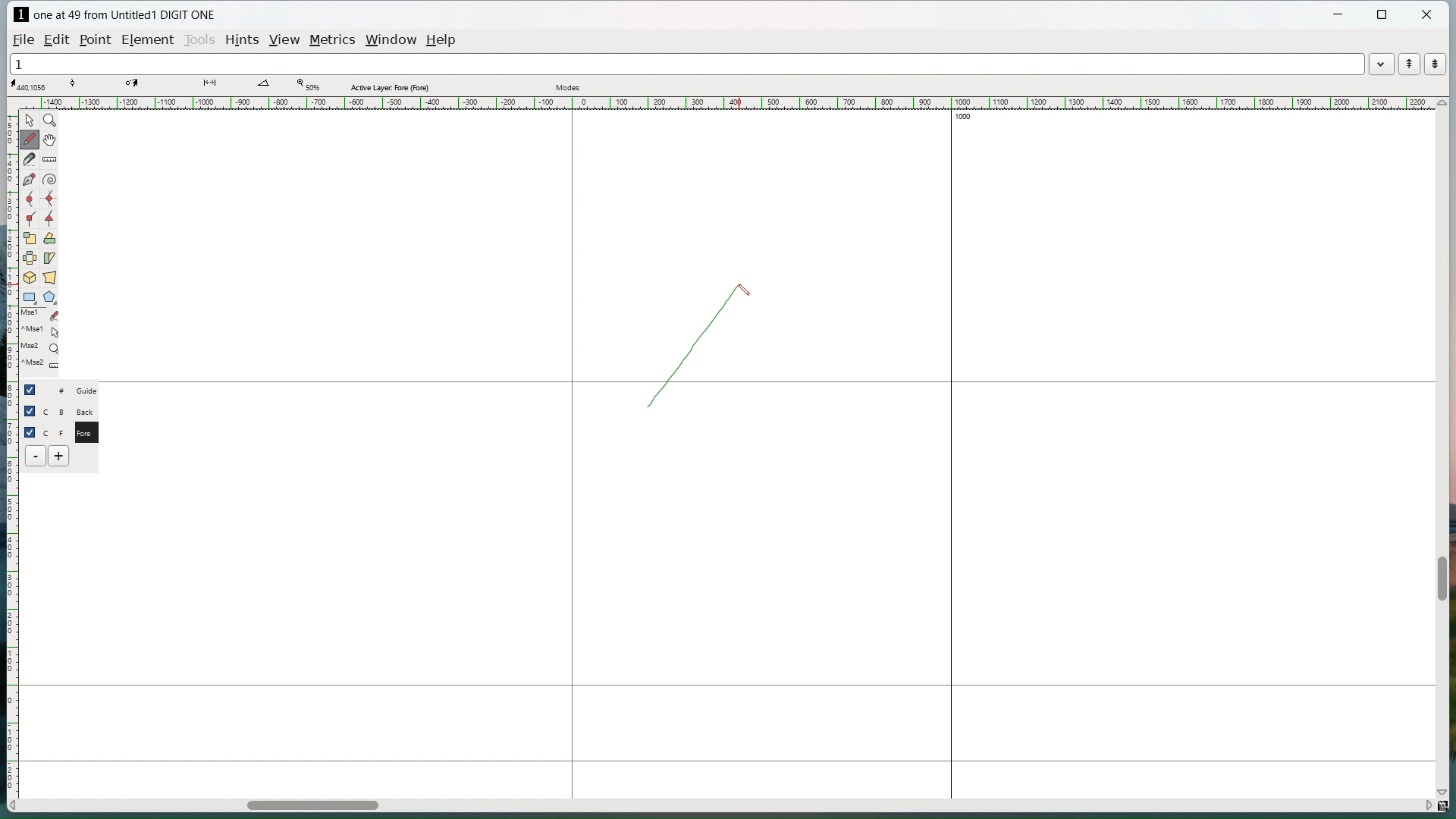 Image resolution: width=1456 pixels, height=819 pixels. Describe the element at coordinates (30, 199) in the screenshot. I see `add a curve point` at that location.